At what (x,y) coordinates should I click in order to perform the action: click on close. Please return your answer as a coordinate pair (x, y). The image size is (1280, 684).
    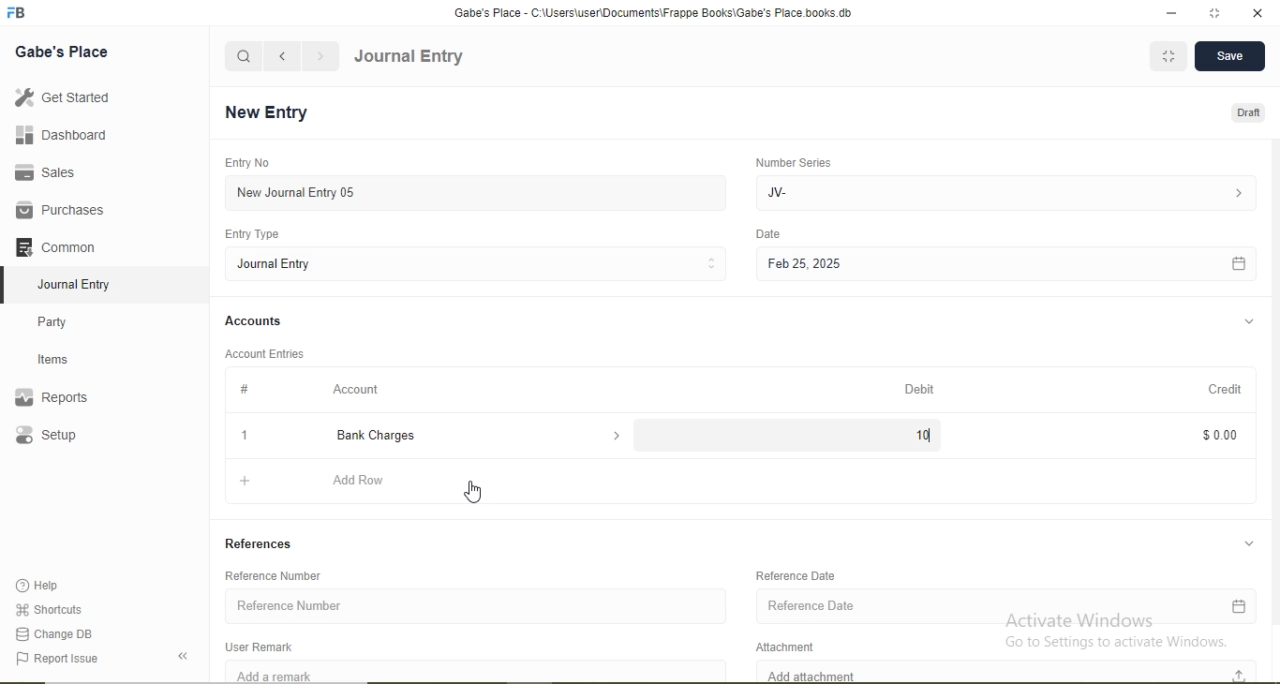
    Looking at the image, I should click on (242, 434).